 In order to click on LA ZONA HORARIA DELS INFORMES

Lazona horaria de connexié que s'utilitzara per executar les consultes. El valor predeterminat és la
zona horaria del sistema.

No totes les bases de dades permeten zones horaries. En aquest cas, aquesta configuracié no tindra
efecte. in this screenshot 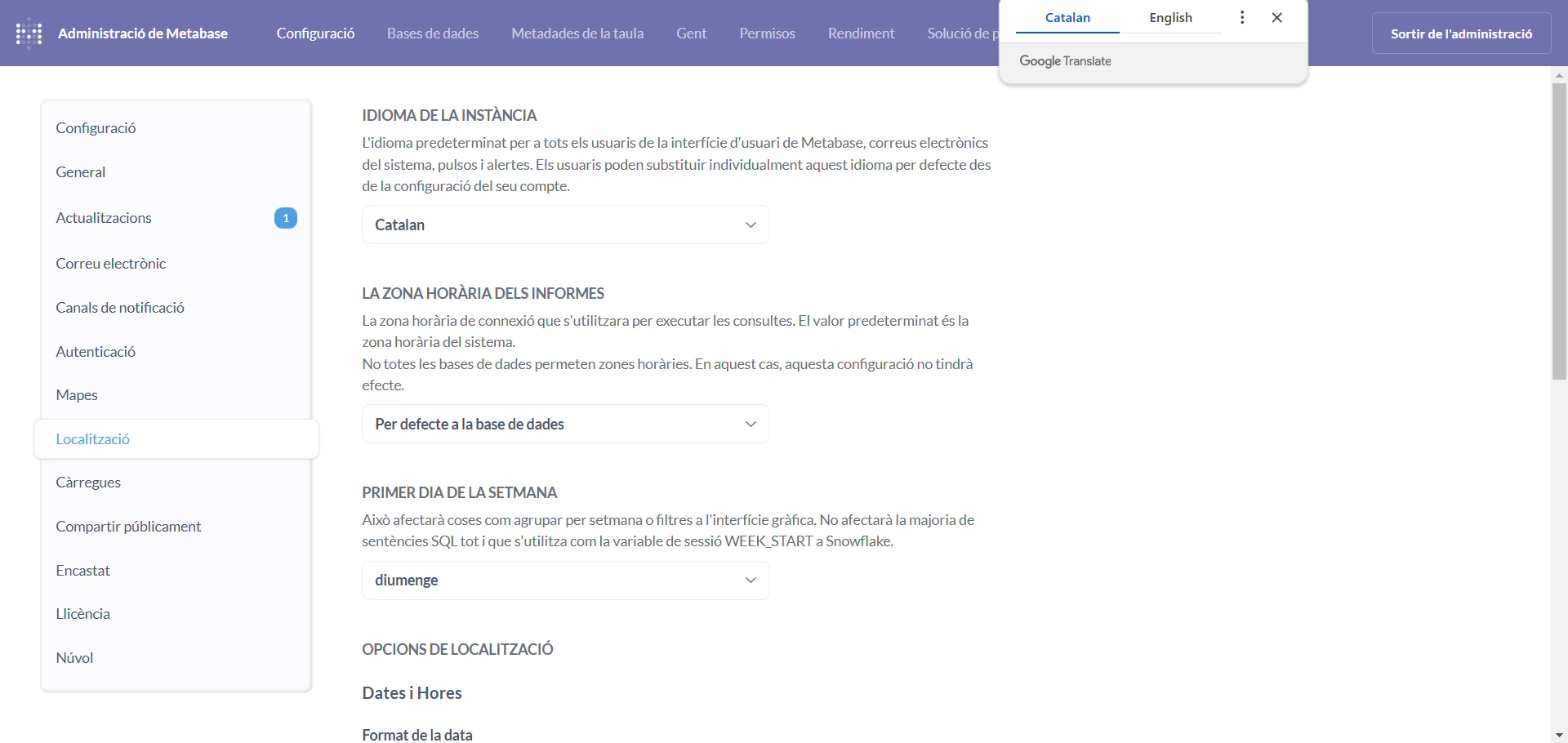, I will do `click(674, 335)`.